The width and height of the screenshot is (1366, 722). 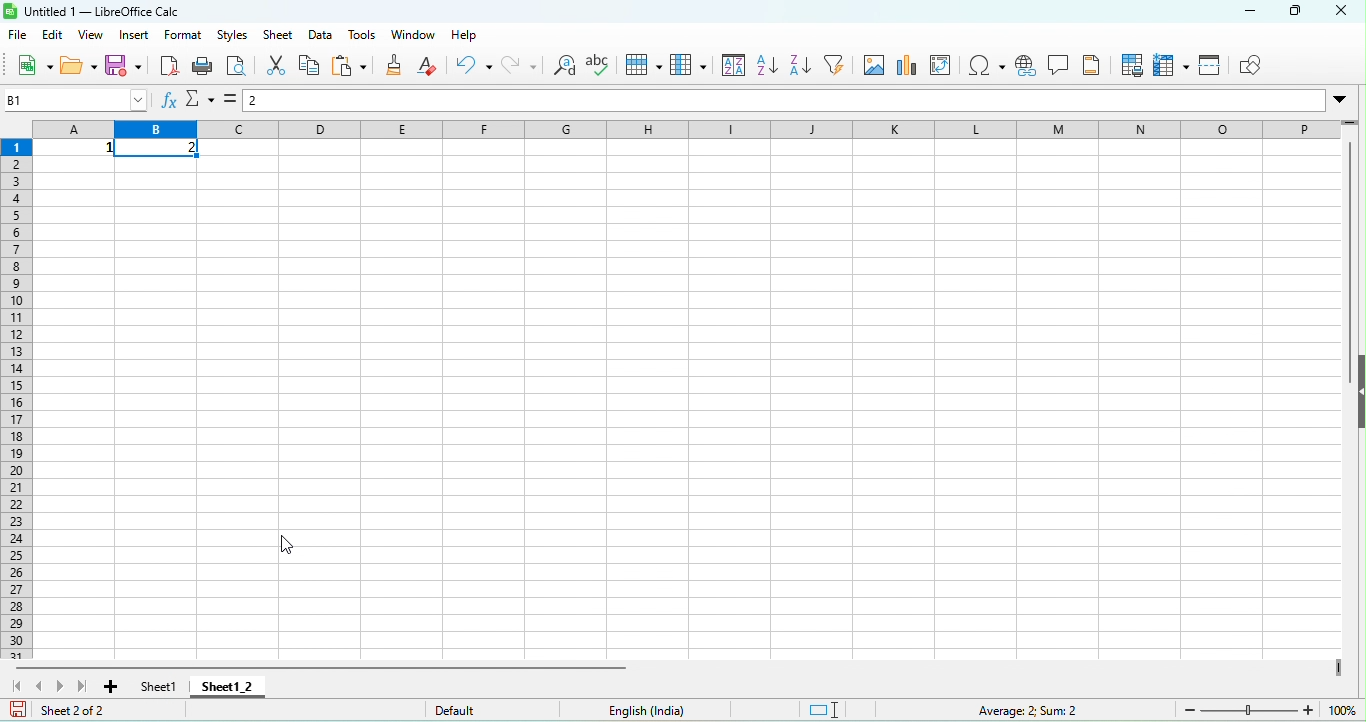 I want to click on special character, so click(x=985, y=69).